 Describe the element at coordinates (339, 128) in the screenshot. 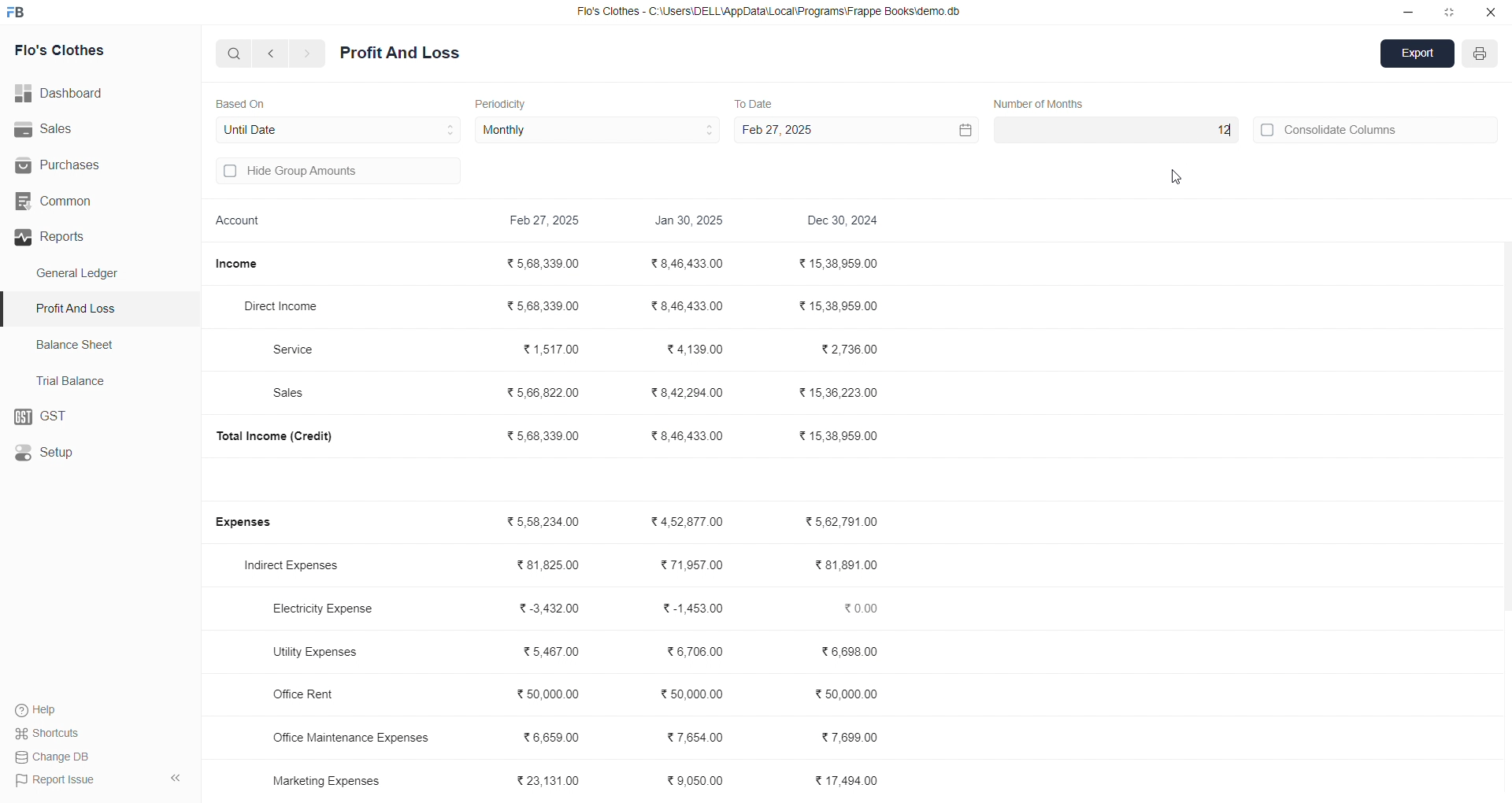

I see `Until Date` at that location.